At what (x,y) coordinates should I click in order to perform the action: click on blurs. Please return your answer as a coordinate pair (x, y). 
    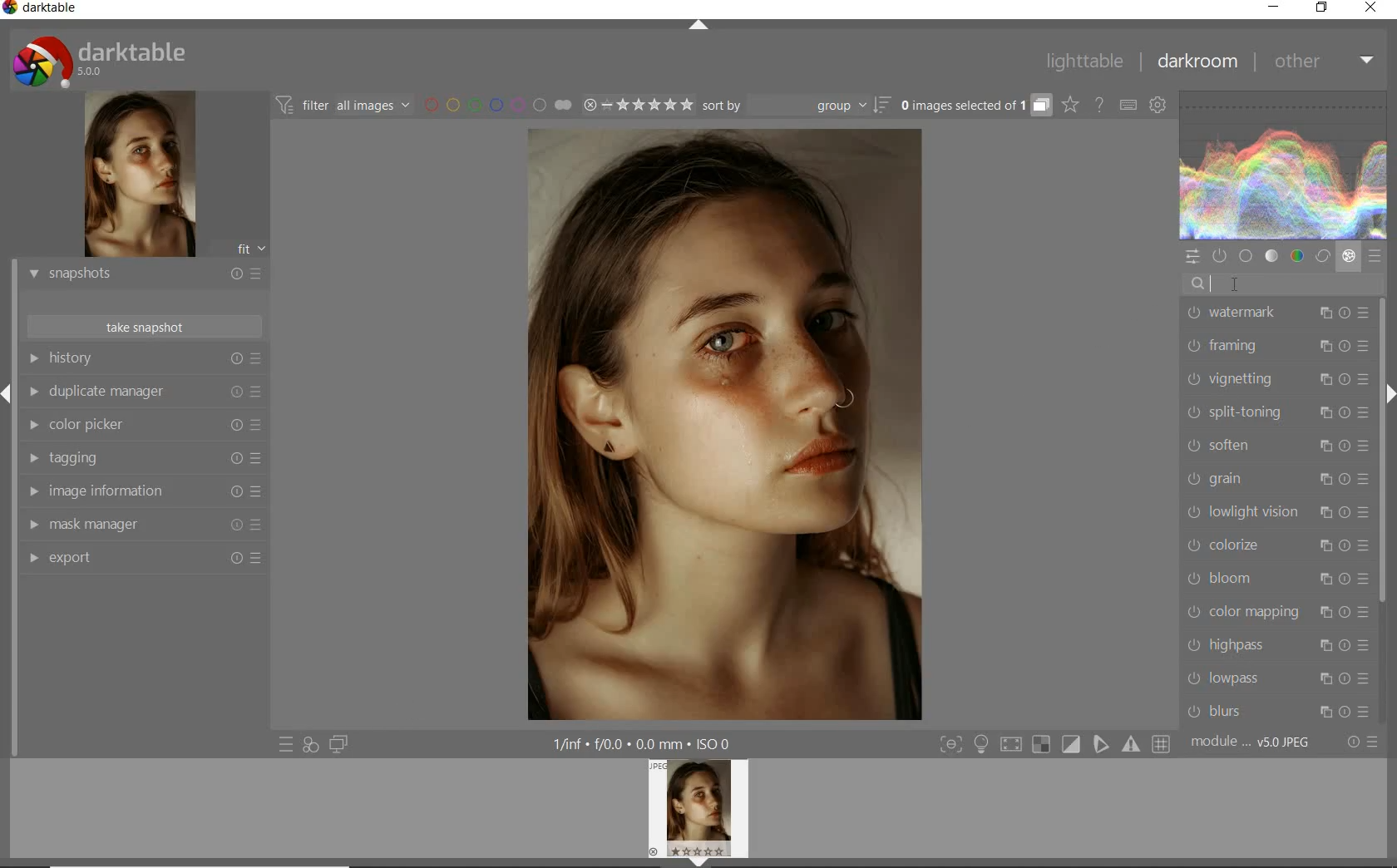
    Looking at the image, I should click on (1279, 708).